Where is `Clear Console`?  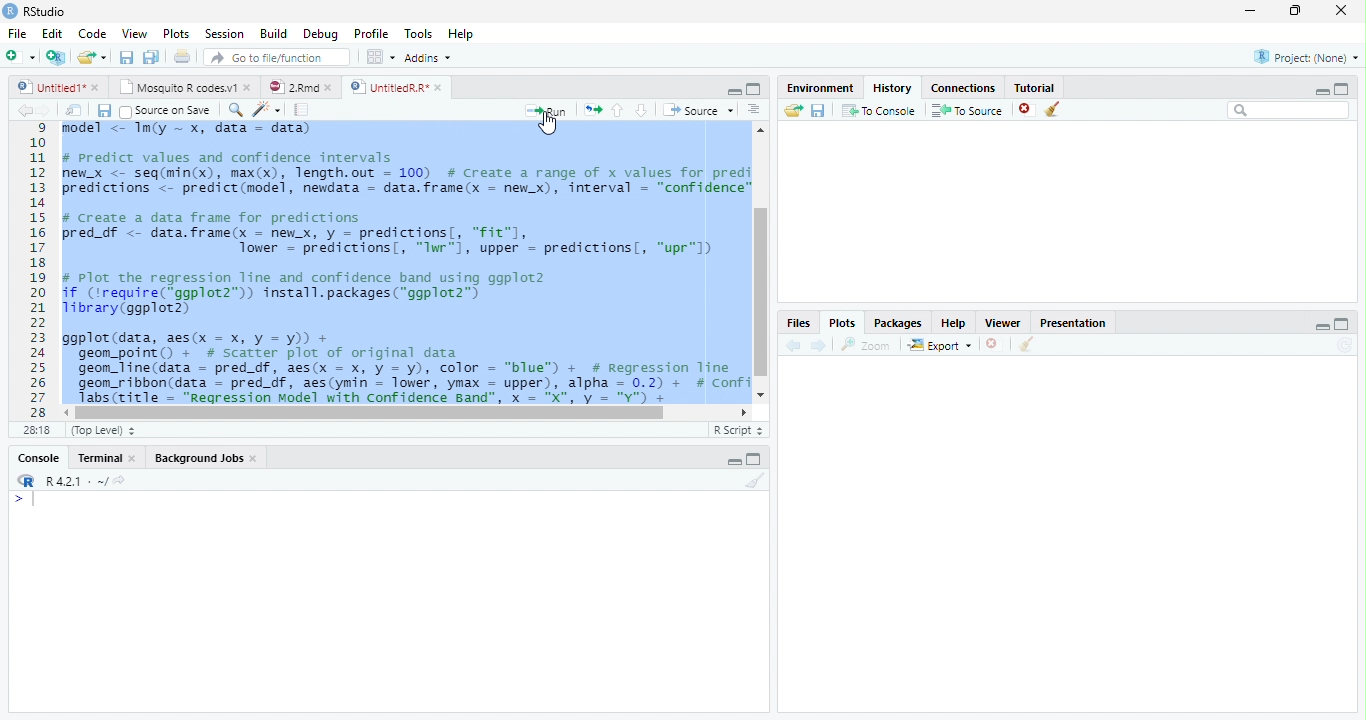
Clear Console is located at coordinates (1053, 109).